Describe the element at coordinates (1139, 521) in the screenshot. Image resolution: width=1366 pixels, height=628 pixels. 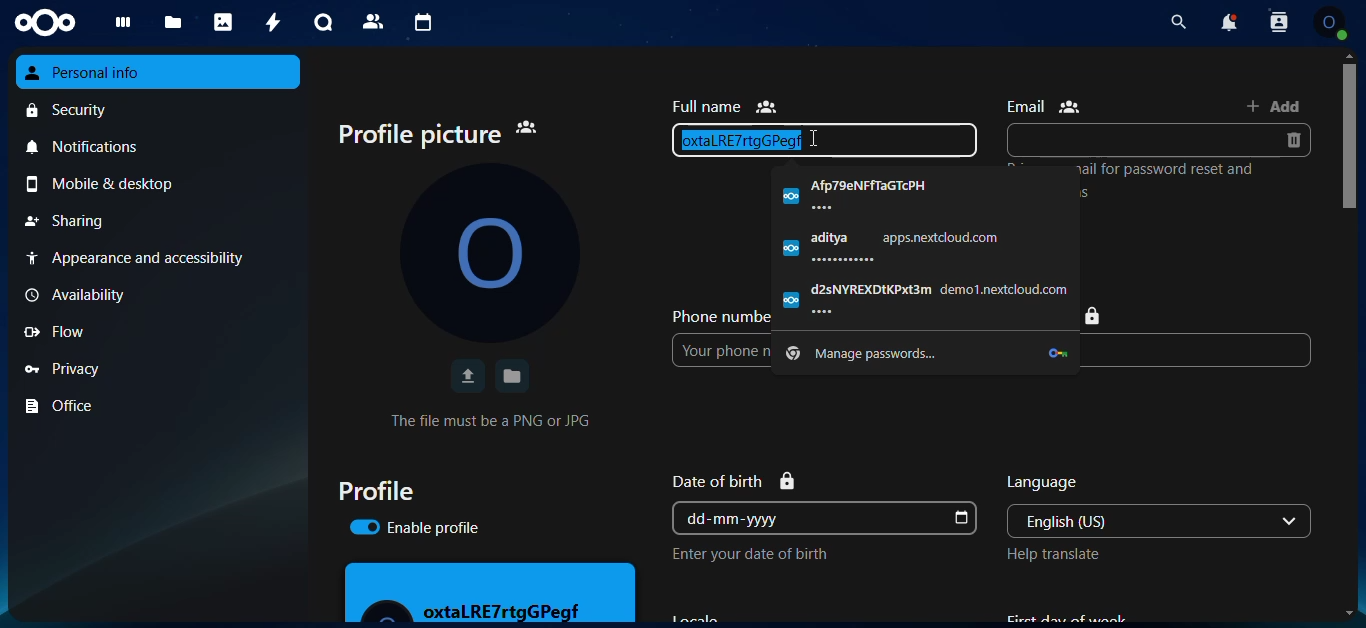
I see `English (US)` at that location.